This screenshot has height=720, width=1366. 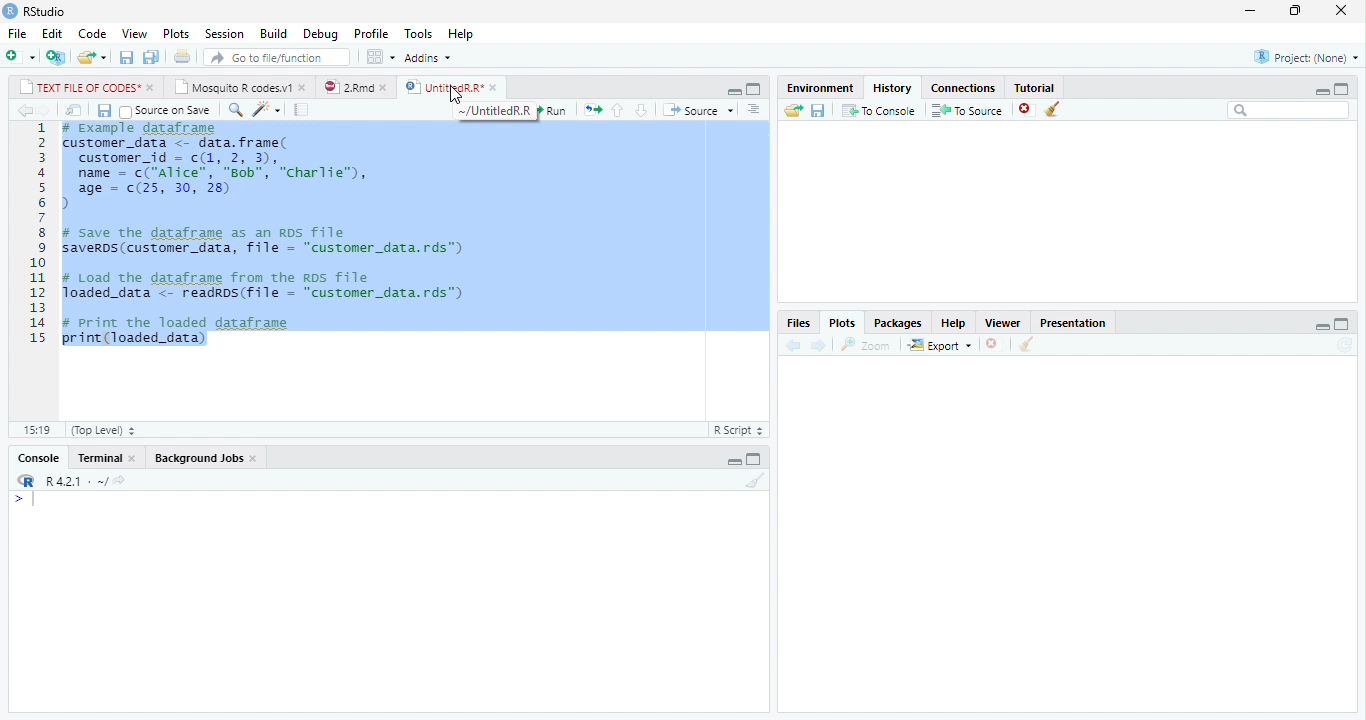 I want to click on Connections, so click(x=963, y=89).